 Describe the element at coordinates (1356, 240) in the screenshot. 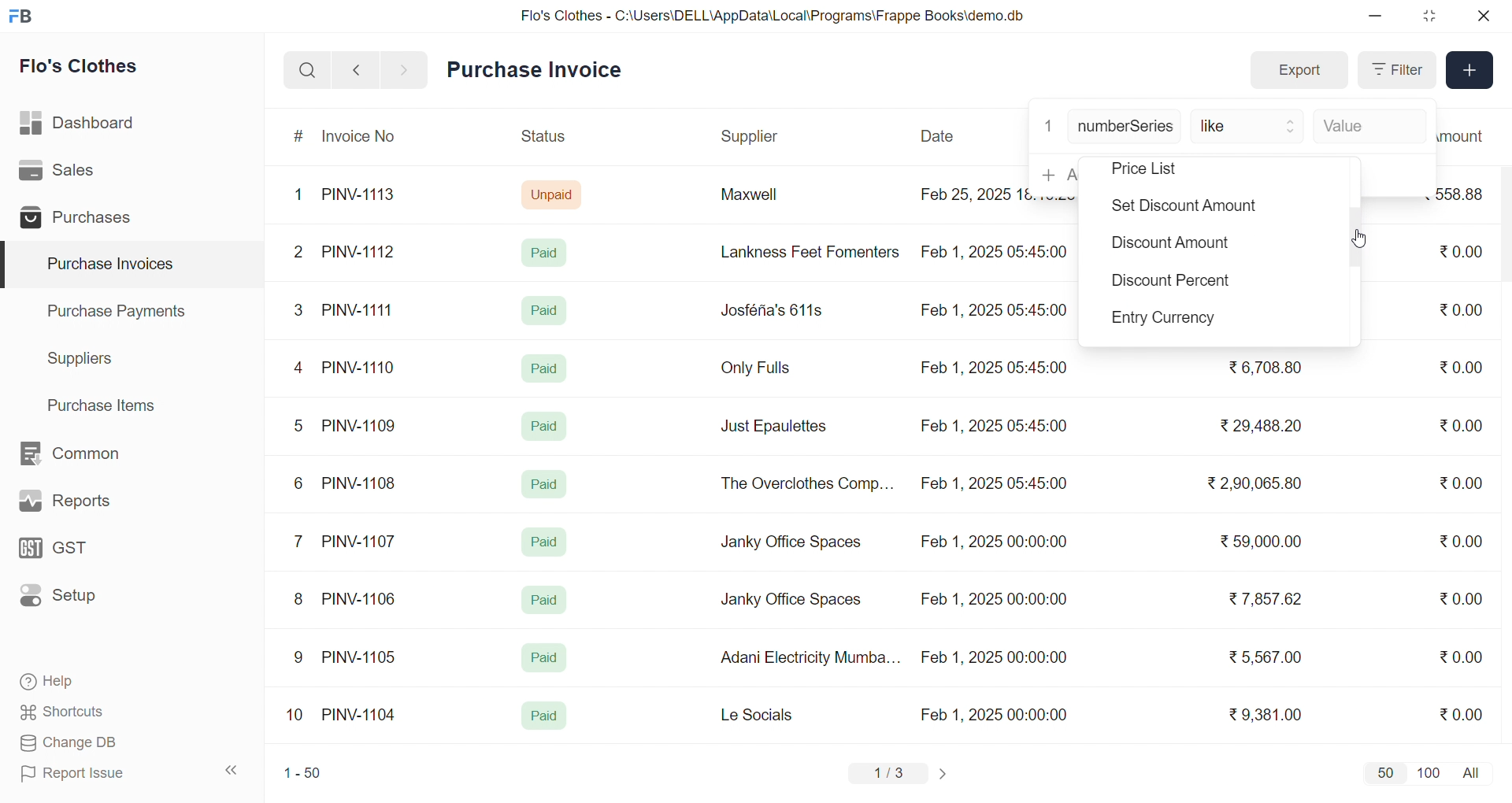

I see `vertical scroll bar` at that location.